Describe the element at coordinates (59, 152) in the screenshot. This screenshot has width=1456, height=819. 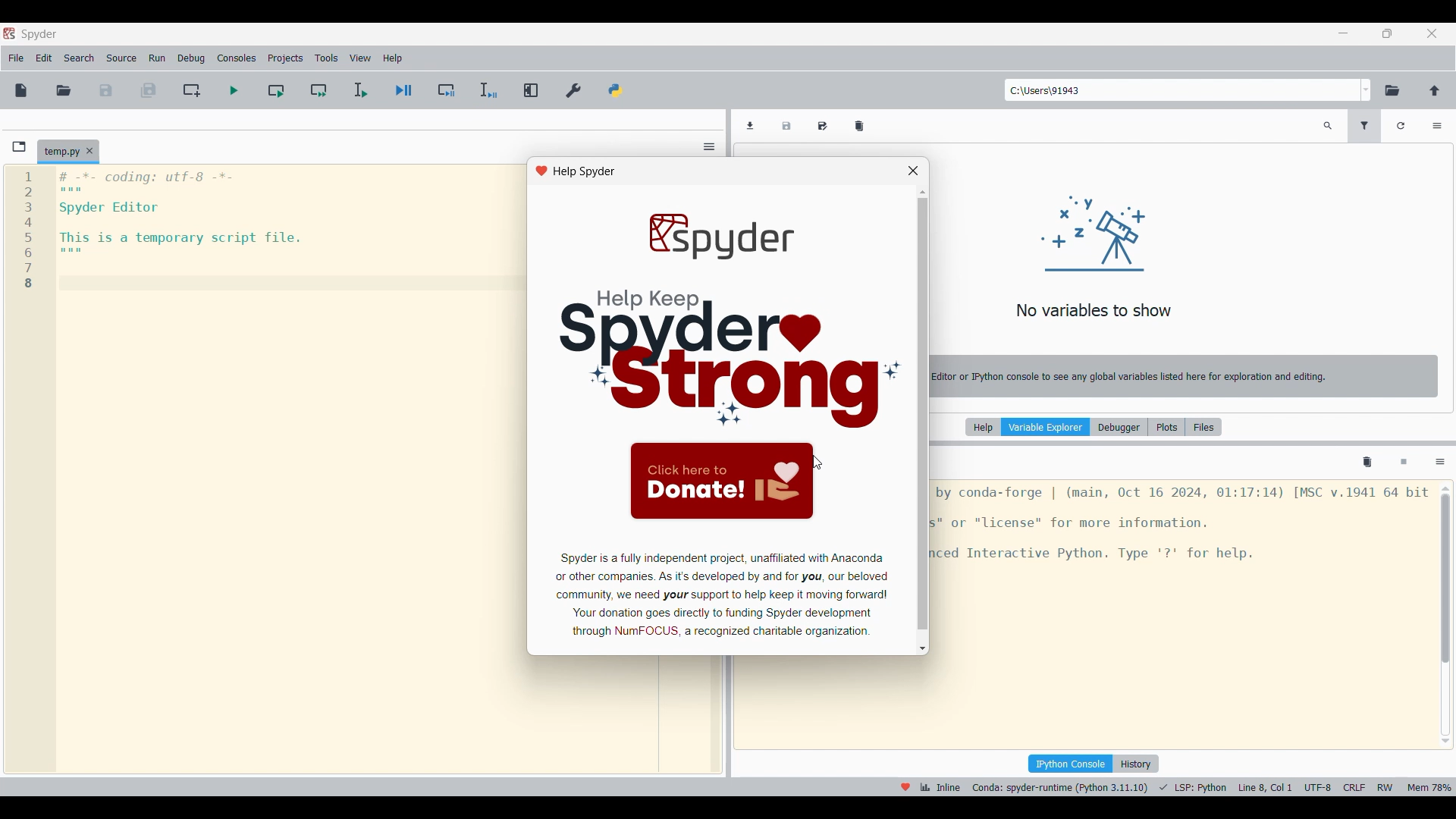
I see `Current tab` at that location.